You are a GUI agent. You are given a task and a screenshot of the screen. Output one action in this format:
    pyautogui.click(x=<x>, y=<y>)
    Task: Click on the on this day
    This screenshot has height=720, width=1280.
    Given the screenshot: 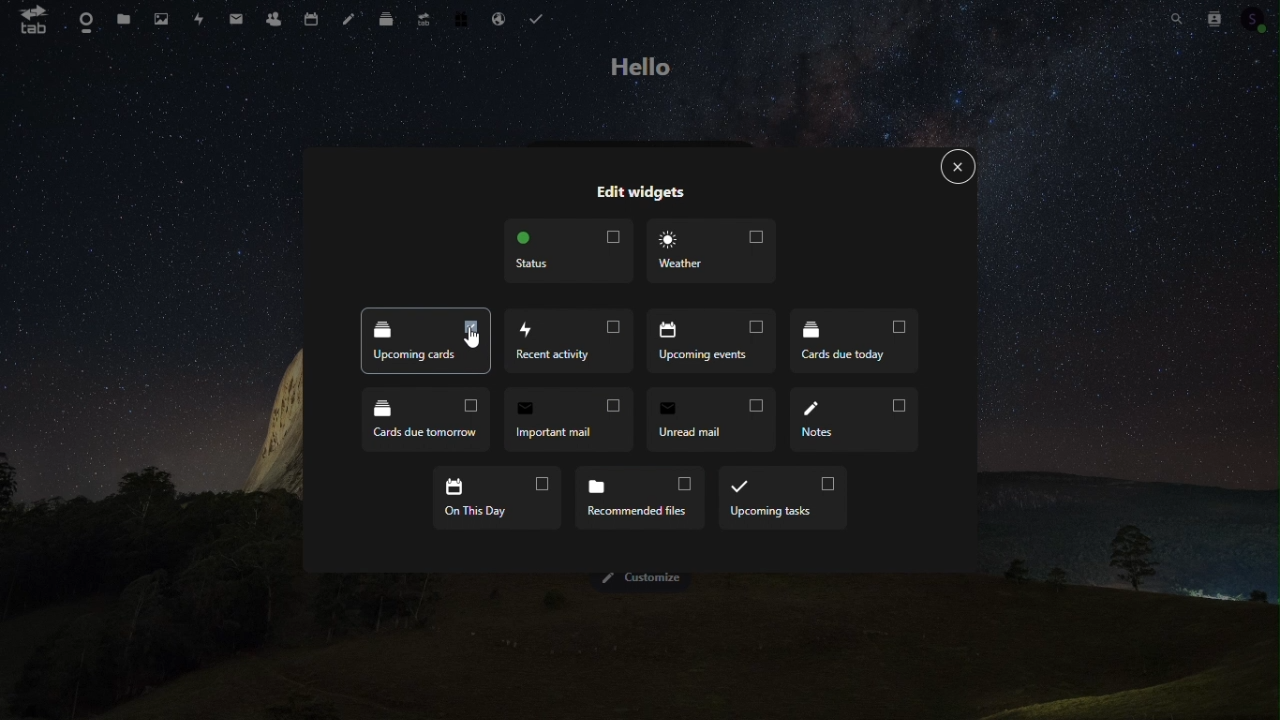 What is the action you would take?
    pyautogui.click(x=500, y=500)
    